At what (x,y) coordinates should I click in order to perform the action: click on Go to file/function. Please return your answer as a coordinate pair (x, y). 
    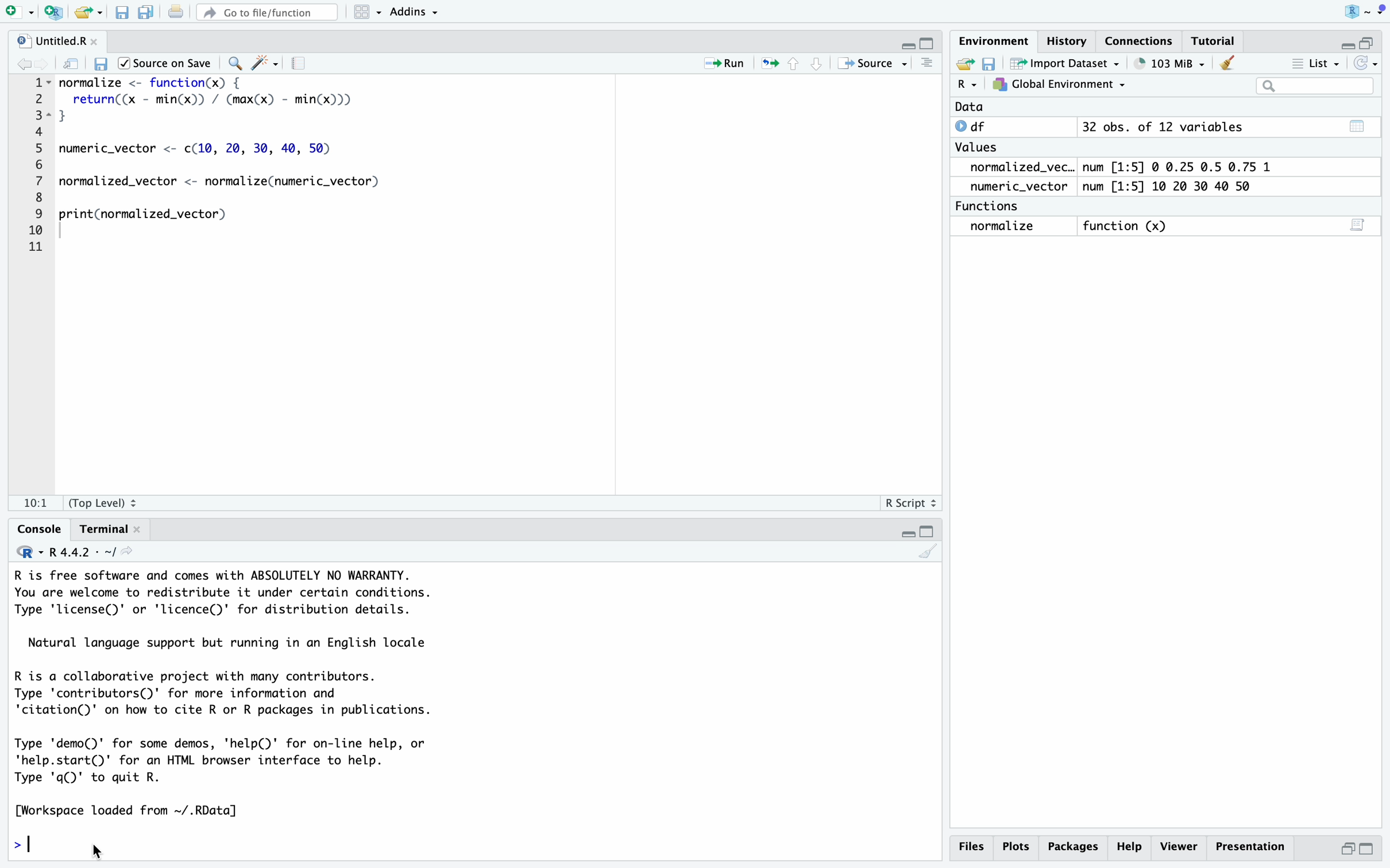
    Looking at the image, I should click on (267, 14).